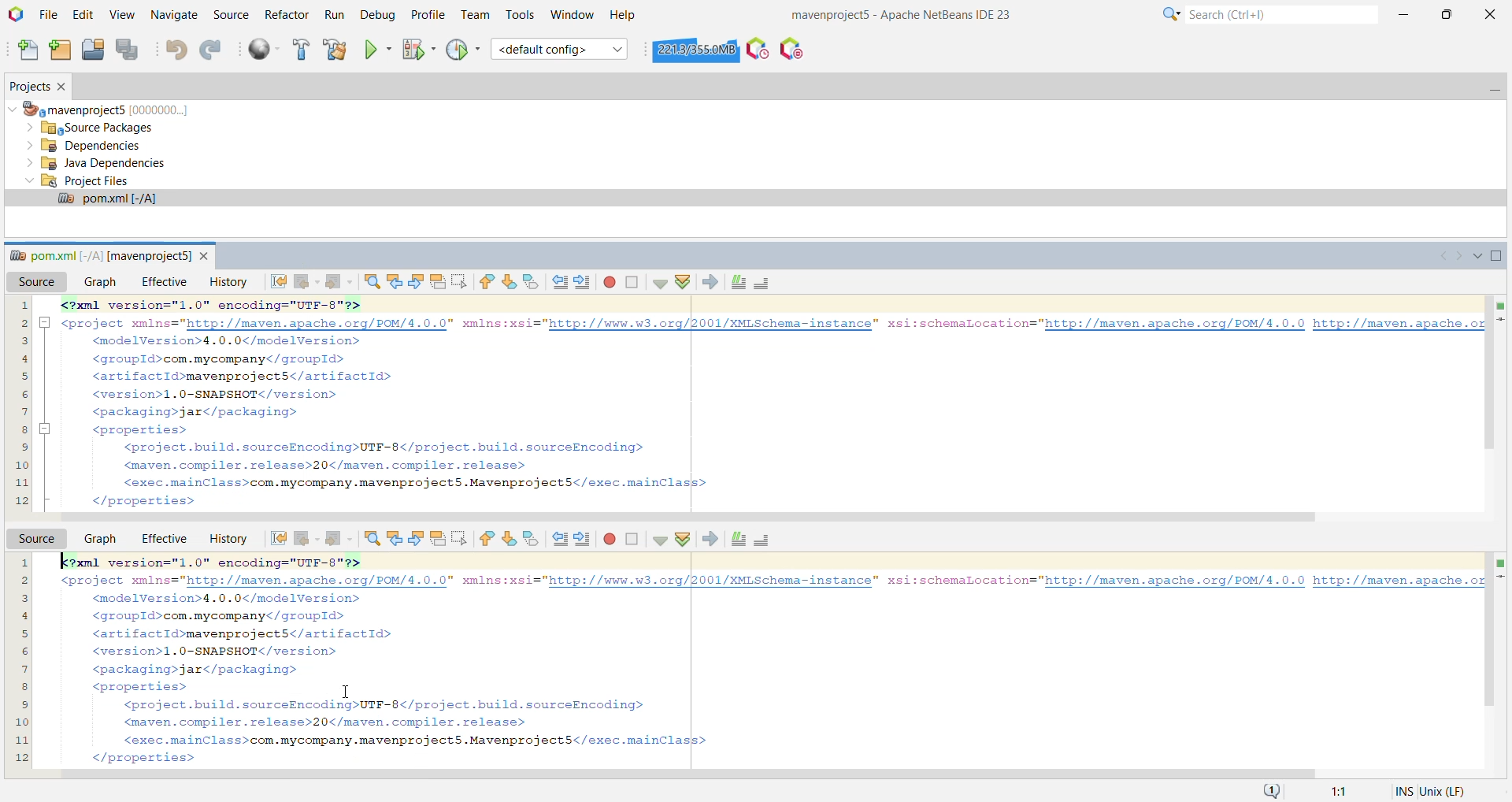 This screenshot has width=1512, height=802. What do you see at coordinates (426, 15) in the screenshot?
I see `Profile` at bounding box center [426, 15].